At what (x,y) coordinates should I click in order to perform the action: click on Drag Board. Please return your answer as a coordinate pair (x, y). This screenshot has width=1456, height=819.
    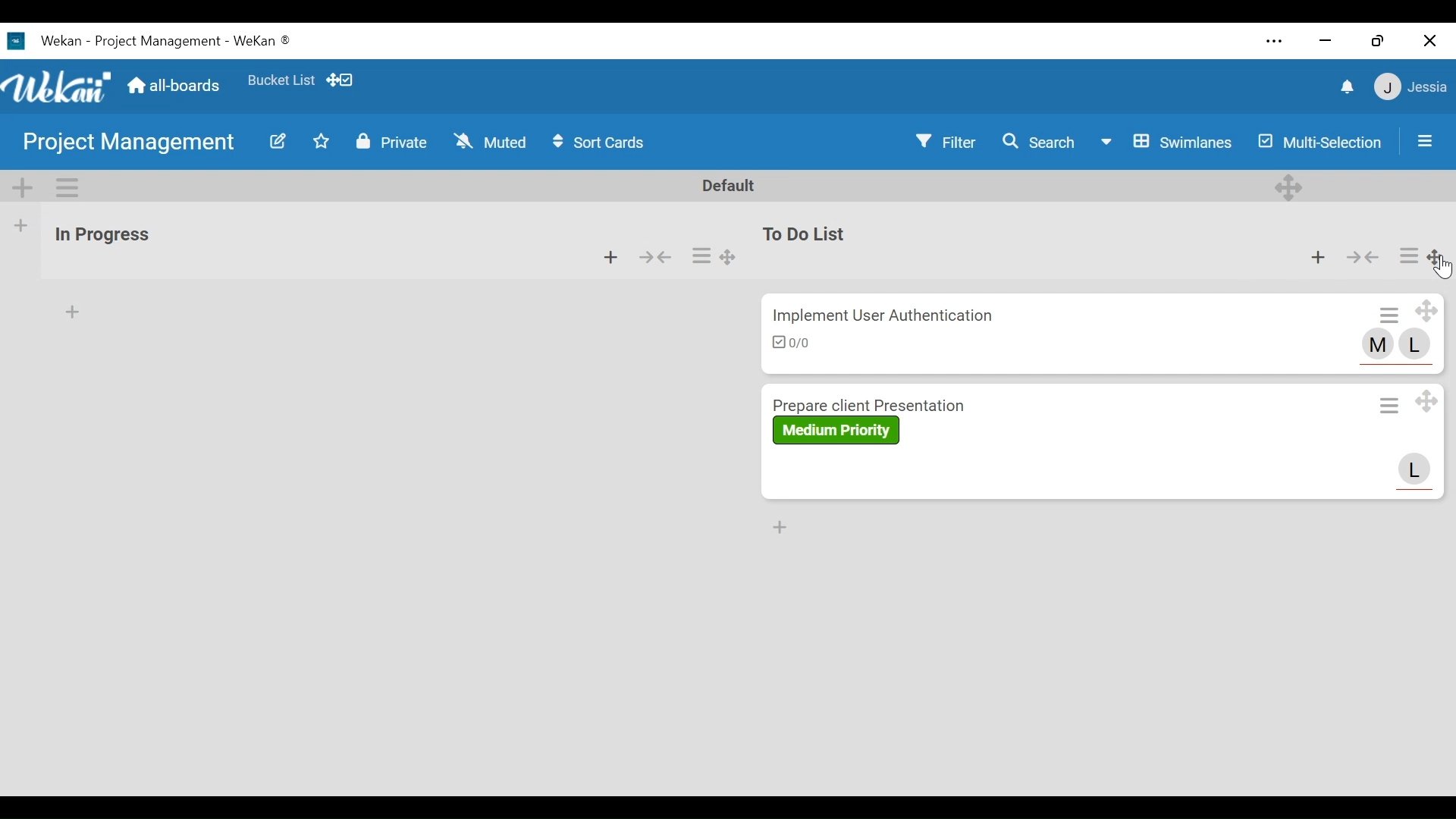
    Looking at the image, I should click on (1437, 256).